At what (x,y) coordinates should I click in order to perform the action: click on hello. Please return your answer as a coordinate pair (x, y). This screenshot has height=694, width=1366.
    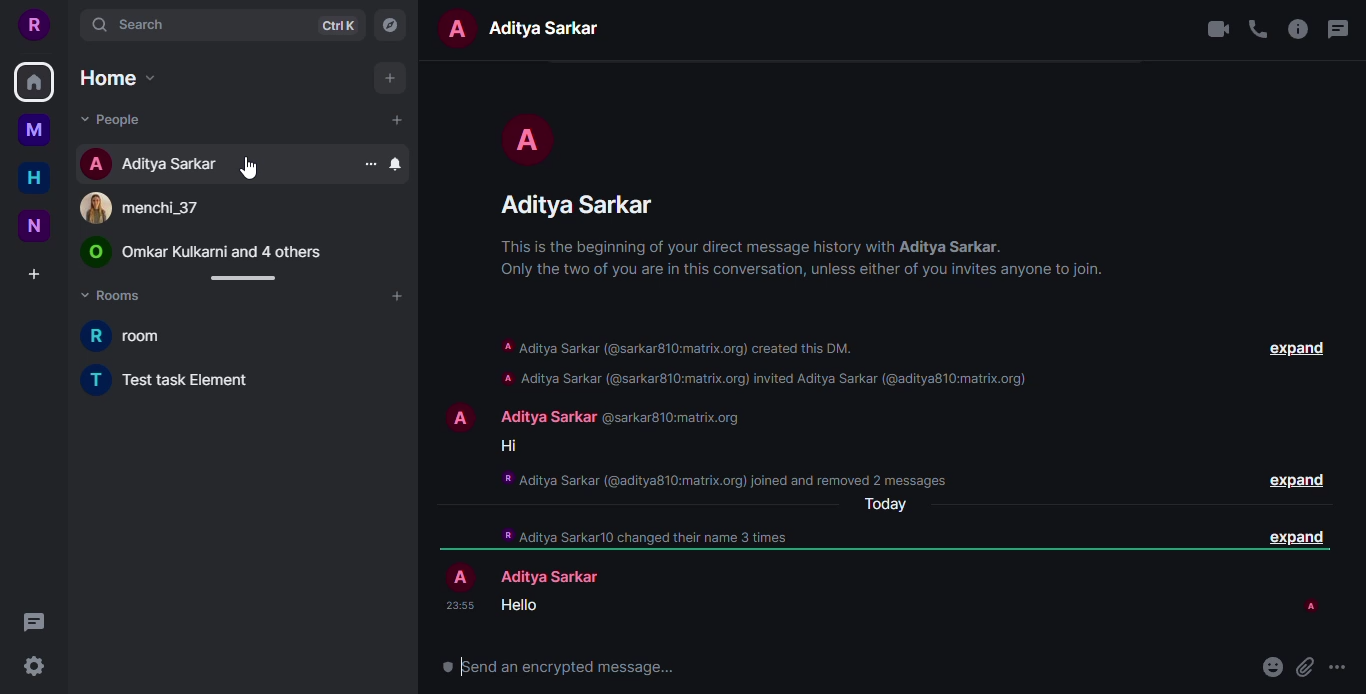
    Looking at the image, I should click on (521, 605).